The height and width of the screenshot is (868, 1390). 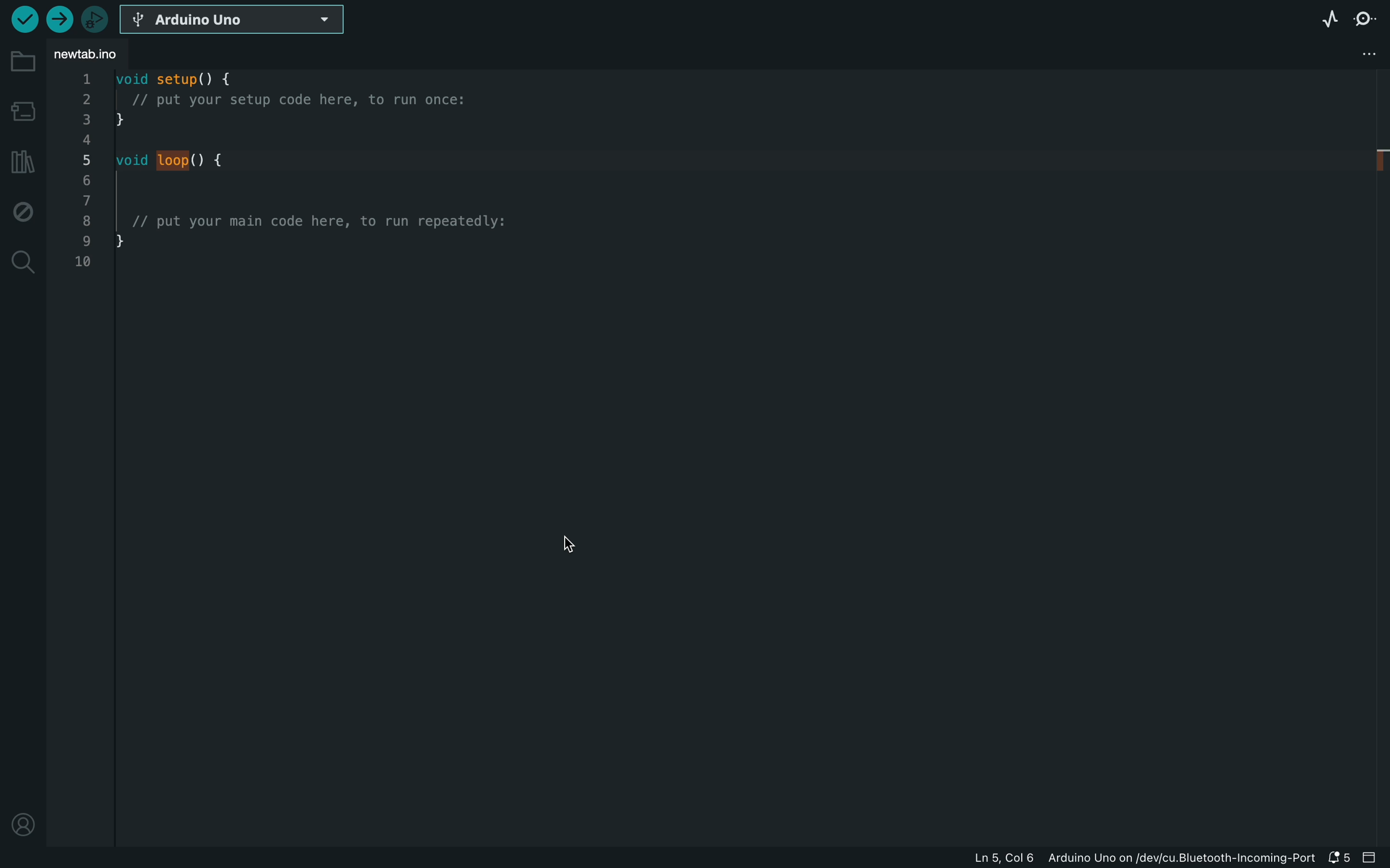 What do you see at coordinates (1365, 18) in the screenshot?
I see `serial monitor` at bounding box center [1365, 18].